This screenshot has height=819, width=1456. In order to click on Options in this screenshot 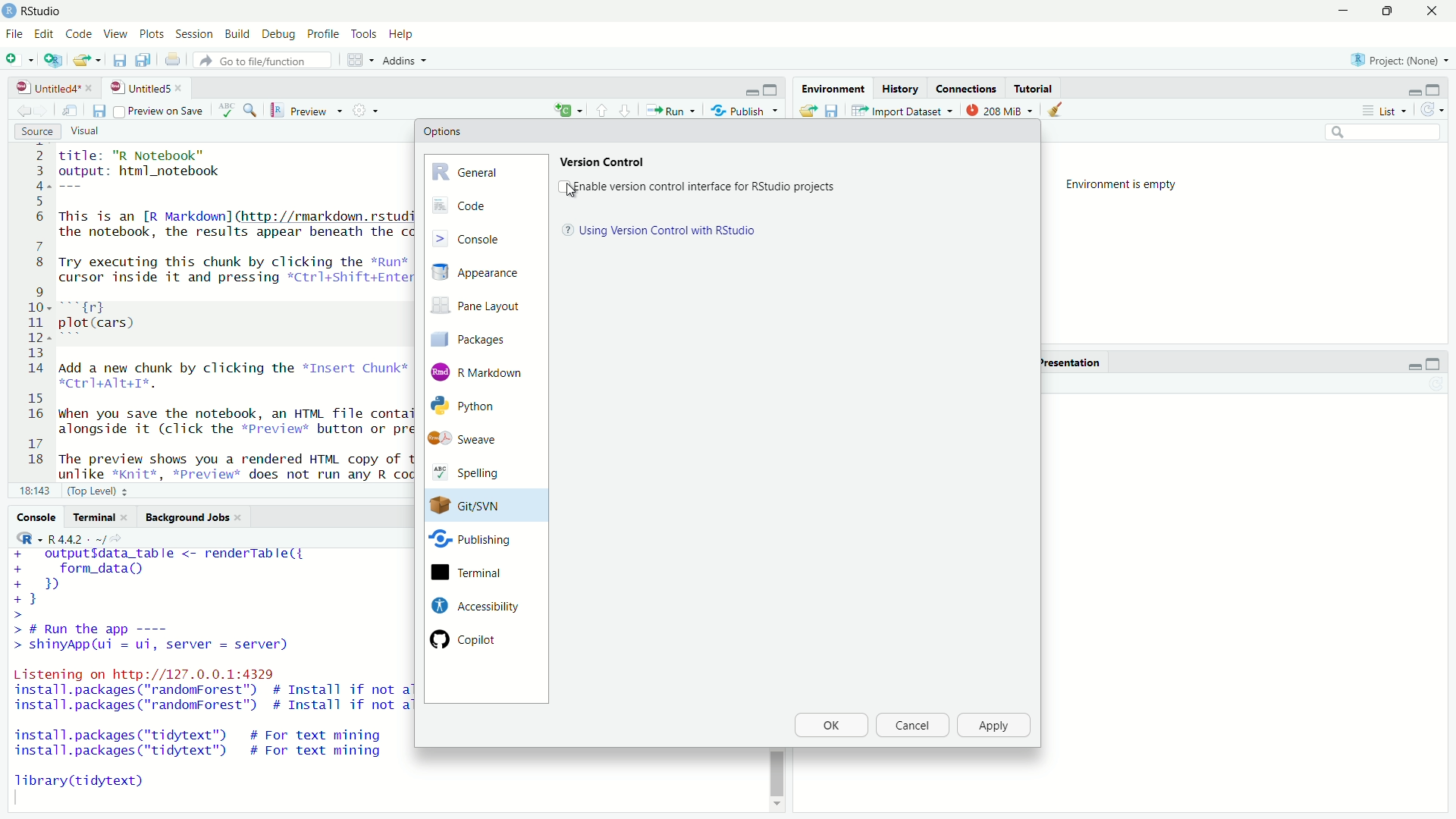, I will do `click(443, 131)`.